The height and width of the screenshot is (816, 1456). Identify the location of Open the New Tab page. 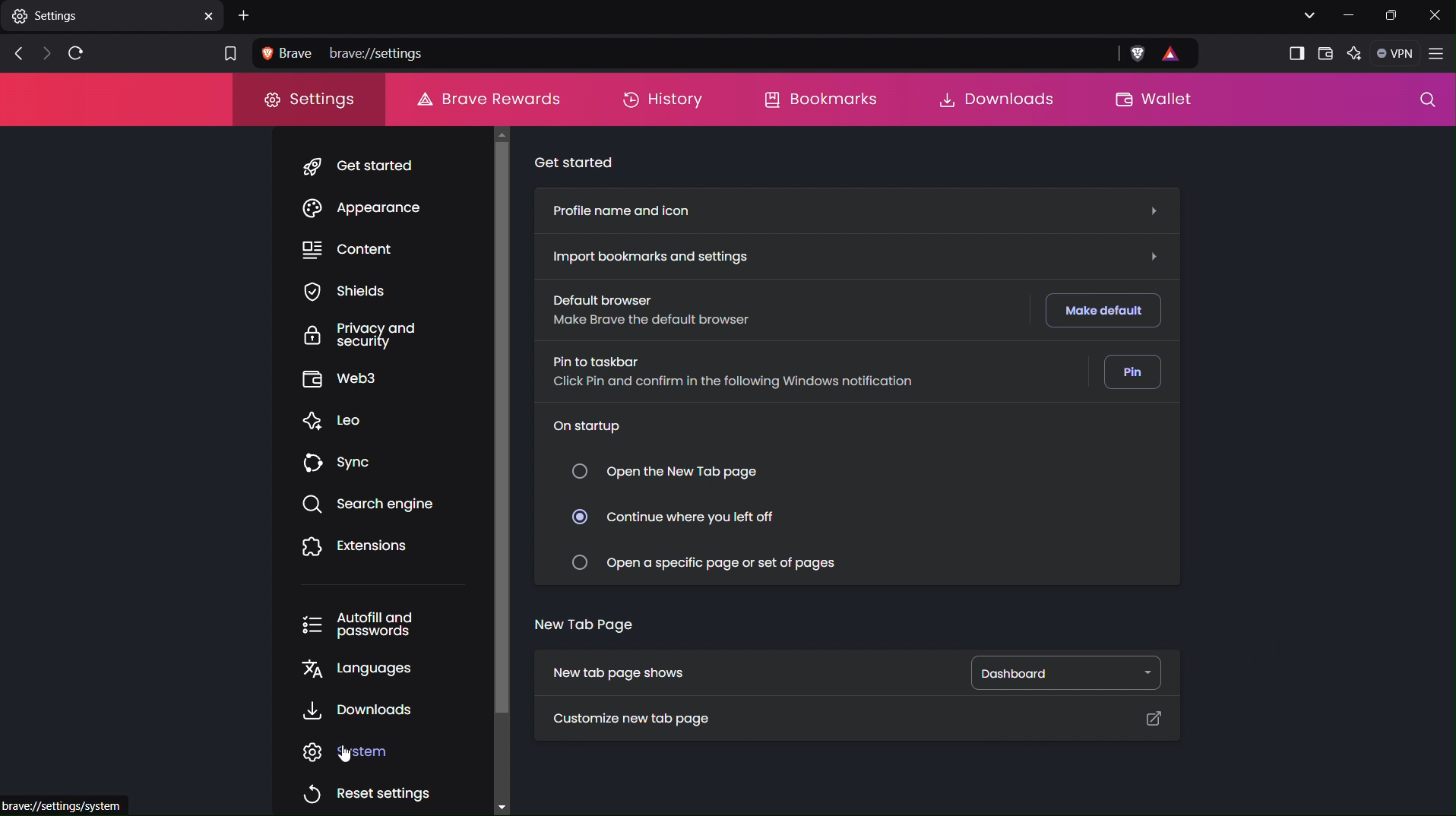
(666, 473).